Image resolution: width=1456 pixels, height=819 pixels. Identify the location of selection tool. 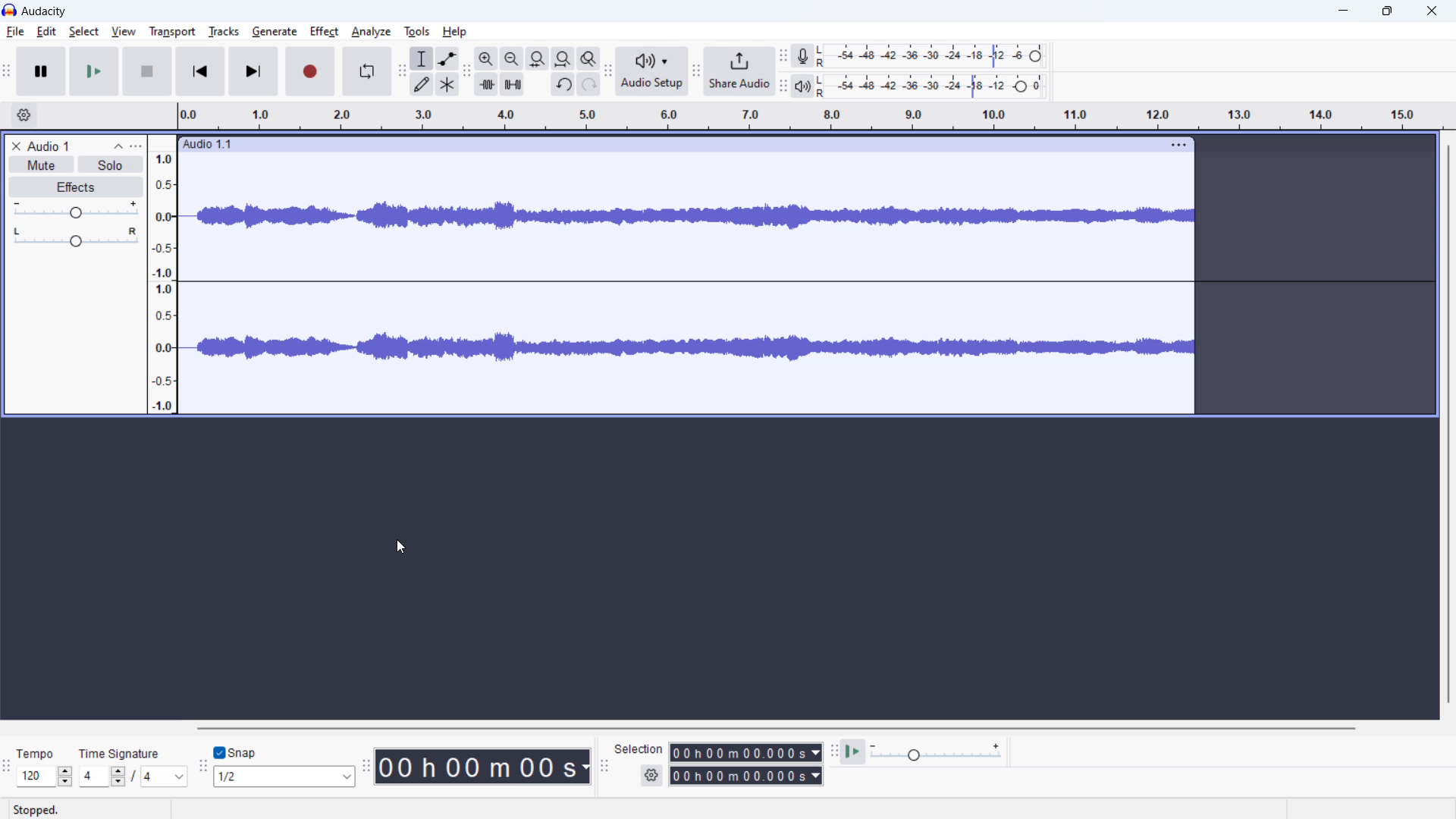
(422, 58).